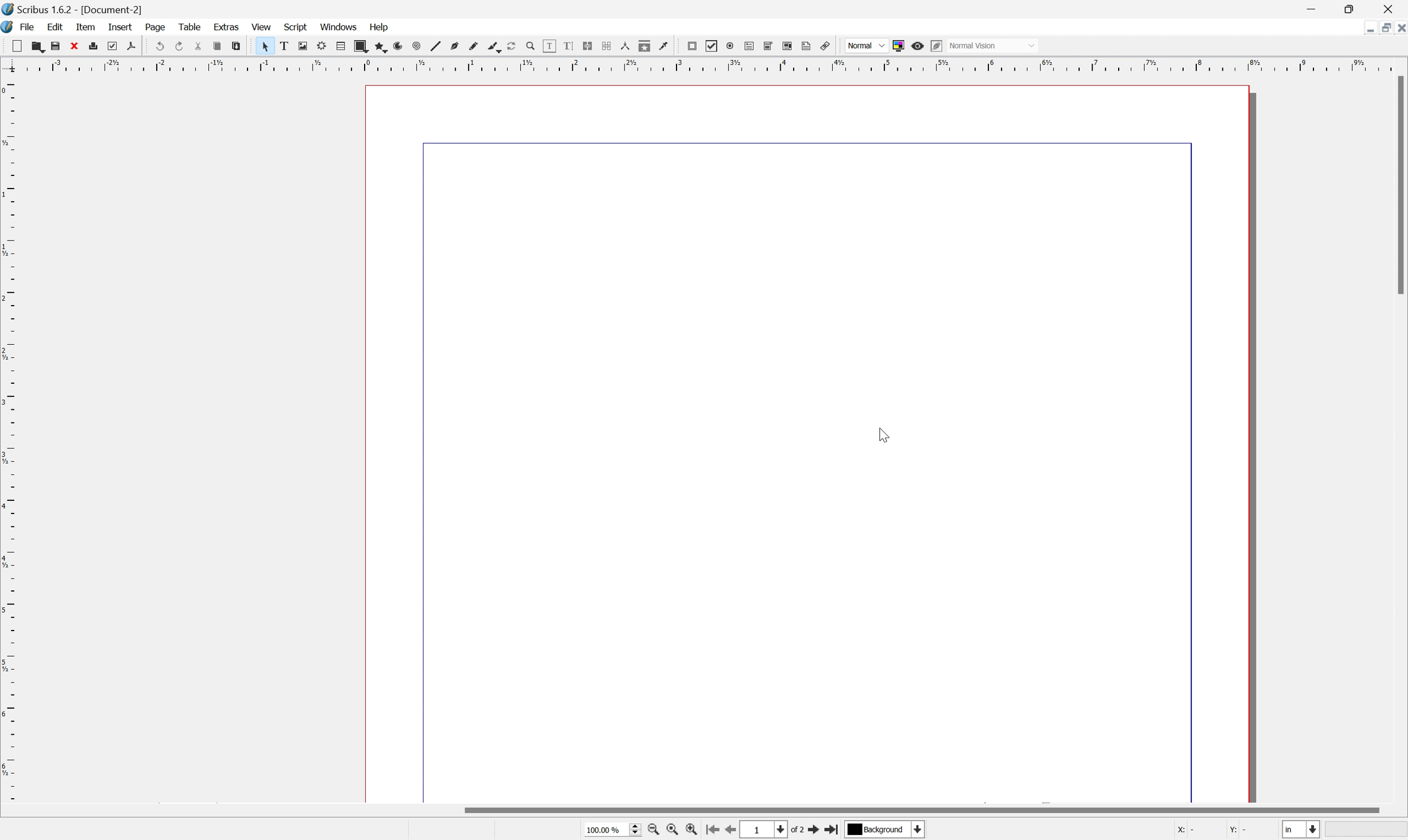 The width and height of the screenshot is (1408, 840). Describe the element at coordinates (119, 28) in the screenshot. I see `Insert` at that location.